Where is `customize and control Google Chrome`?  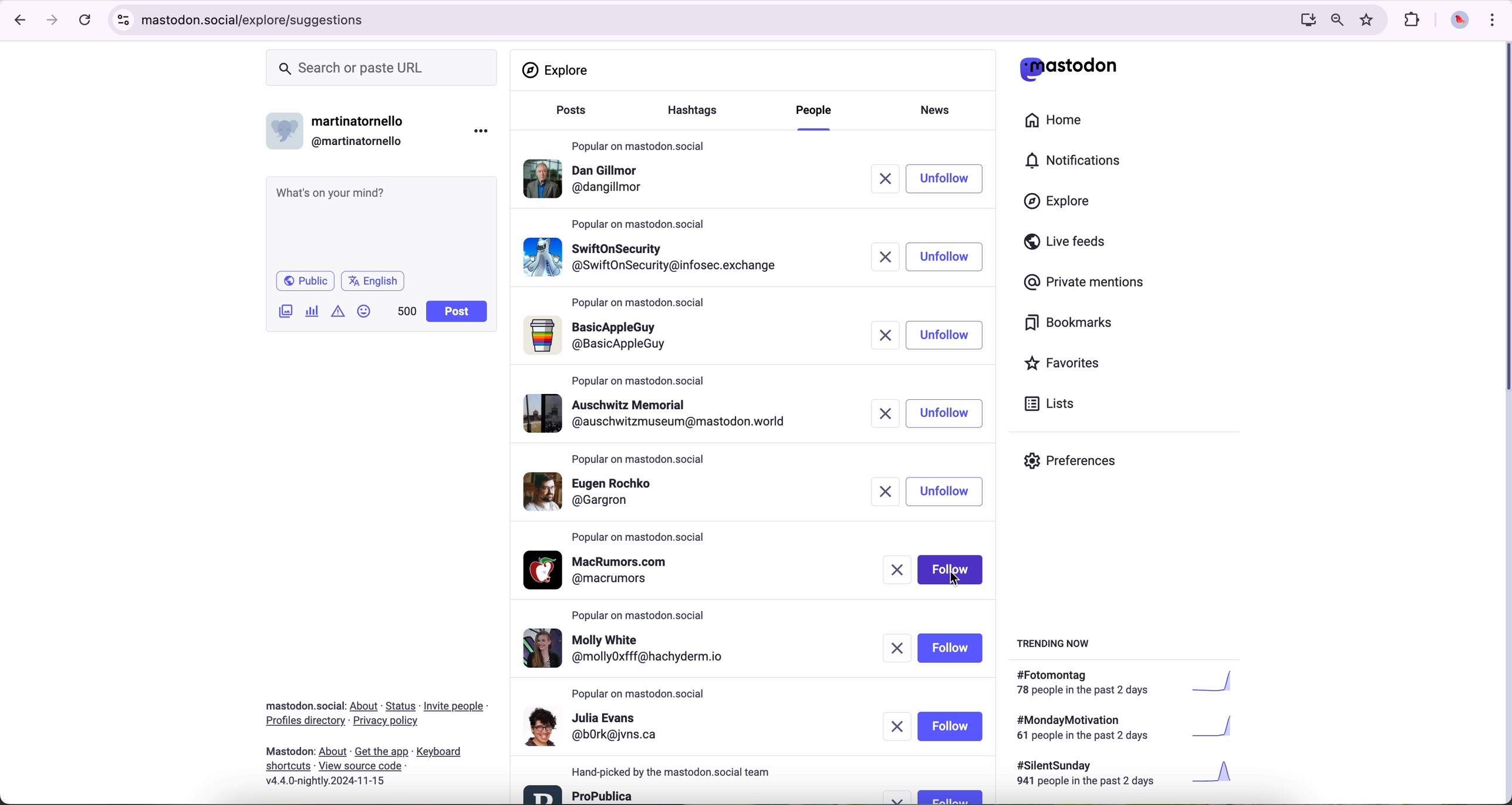 customize and control Google Chrome is located at coordinates (1491, 19).